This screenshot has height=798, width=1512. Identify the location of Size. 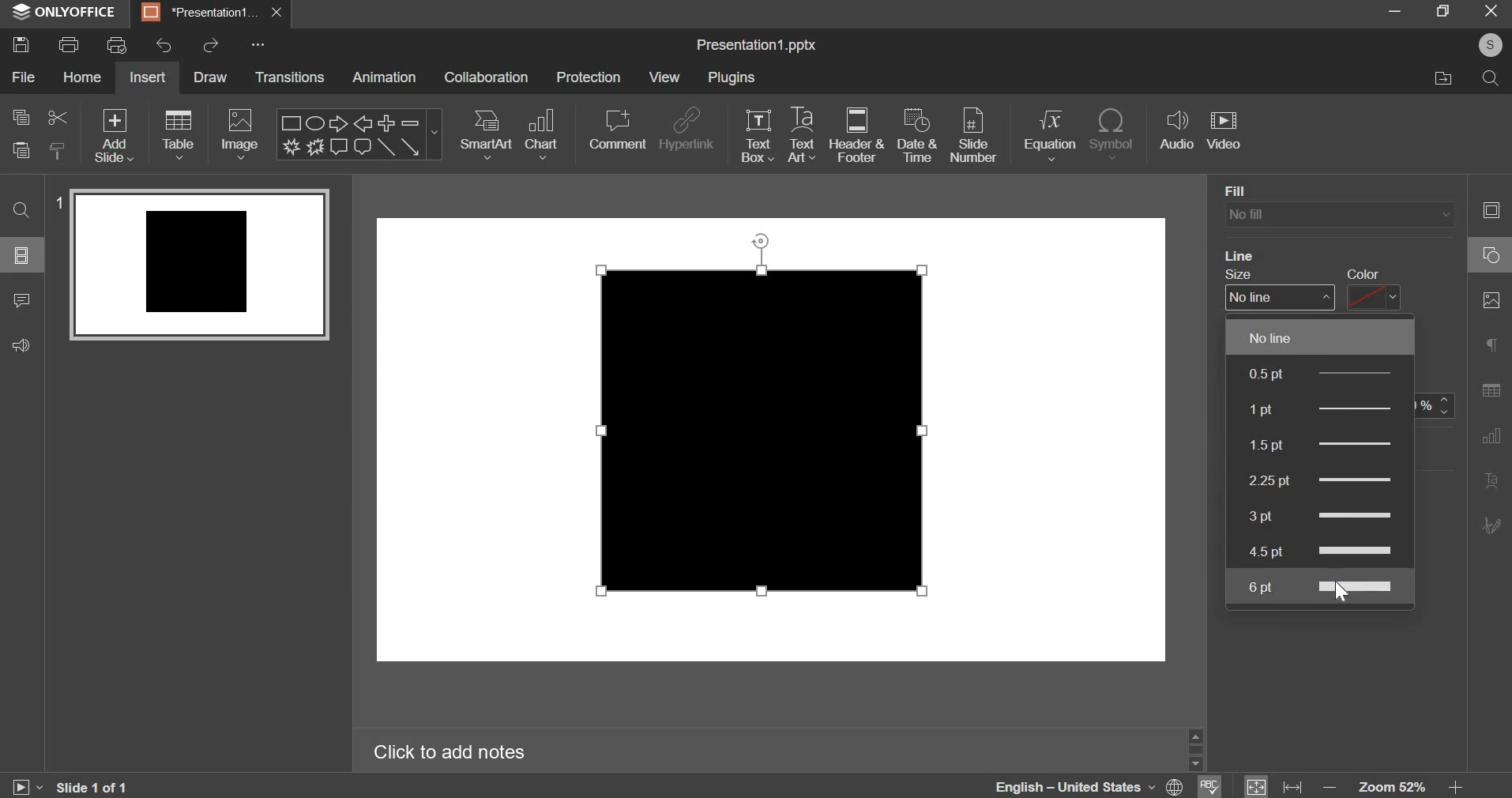
(1247, 274).